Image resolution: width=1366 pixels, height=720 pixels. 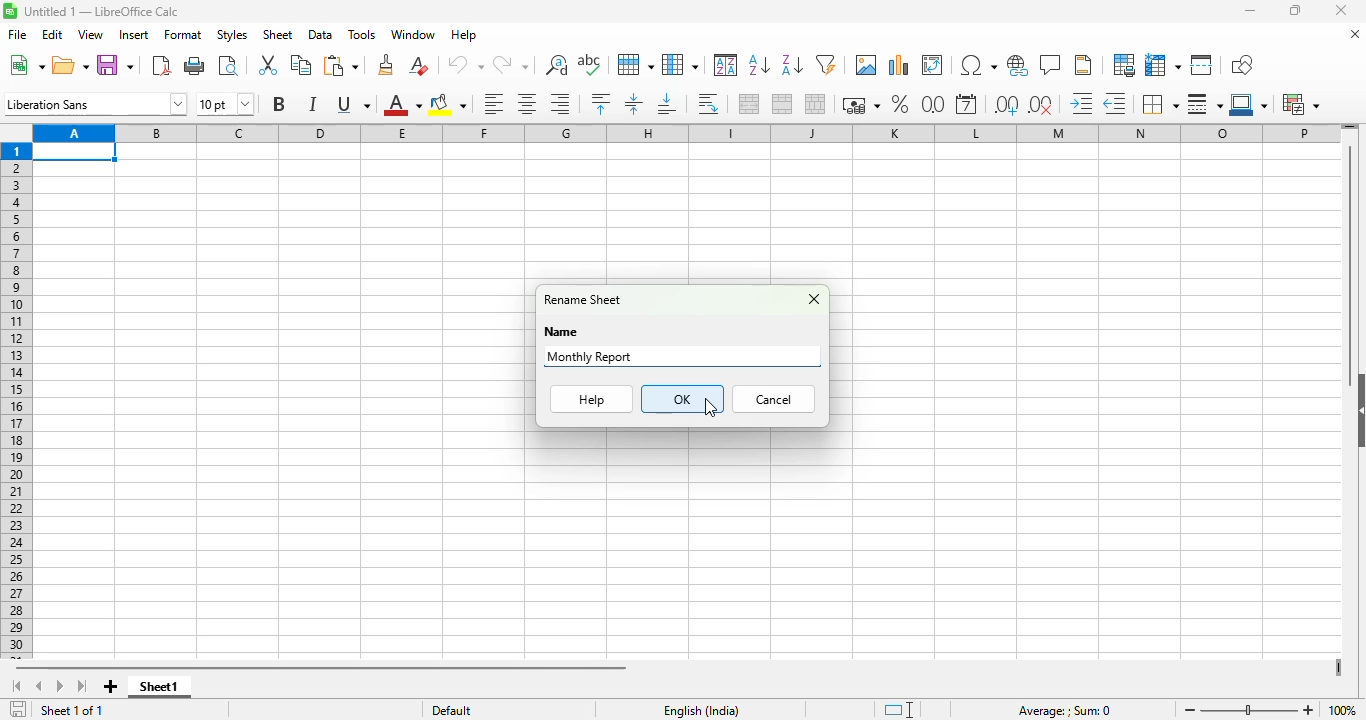 I want to click on autoFilter, so click(x=826, y=65).